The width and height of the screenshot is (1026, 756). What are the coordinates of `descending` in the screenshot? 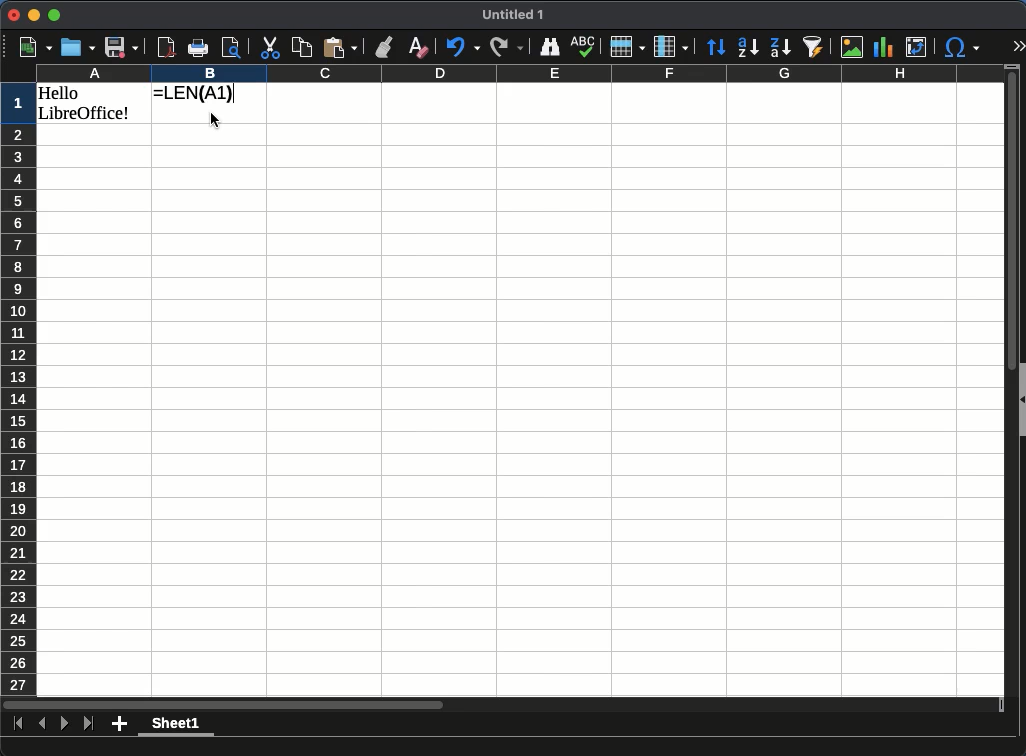 It's located at (780, 47).